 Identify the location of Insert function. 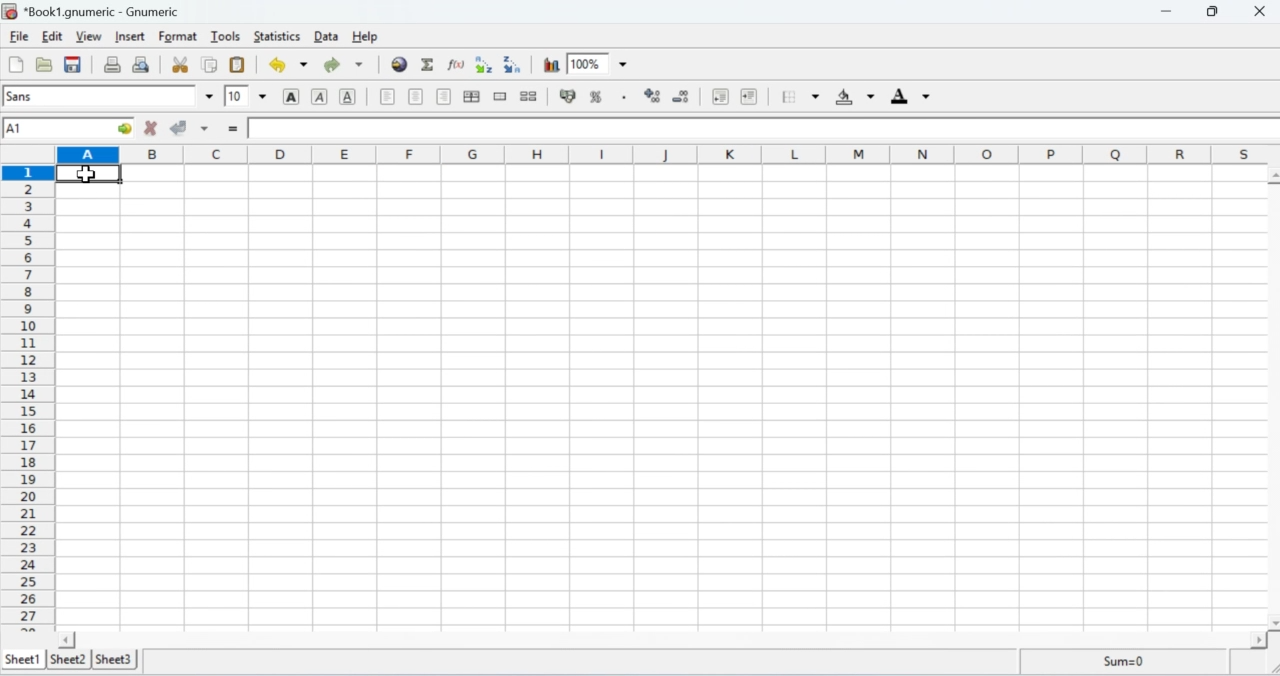
(231, 130).